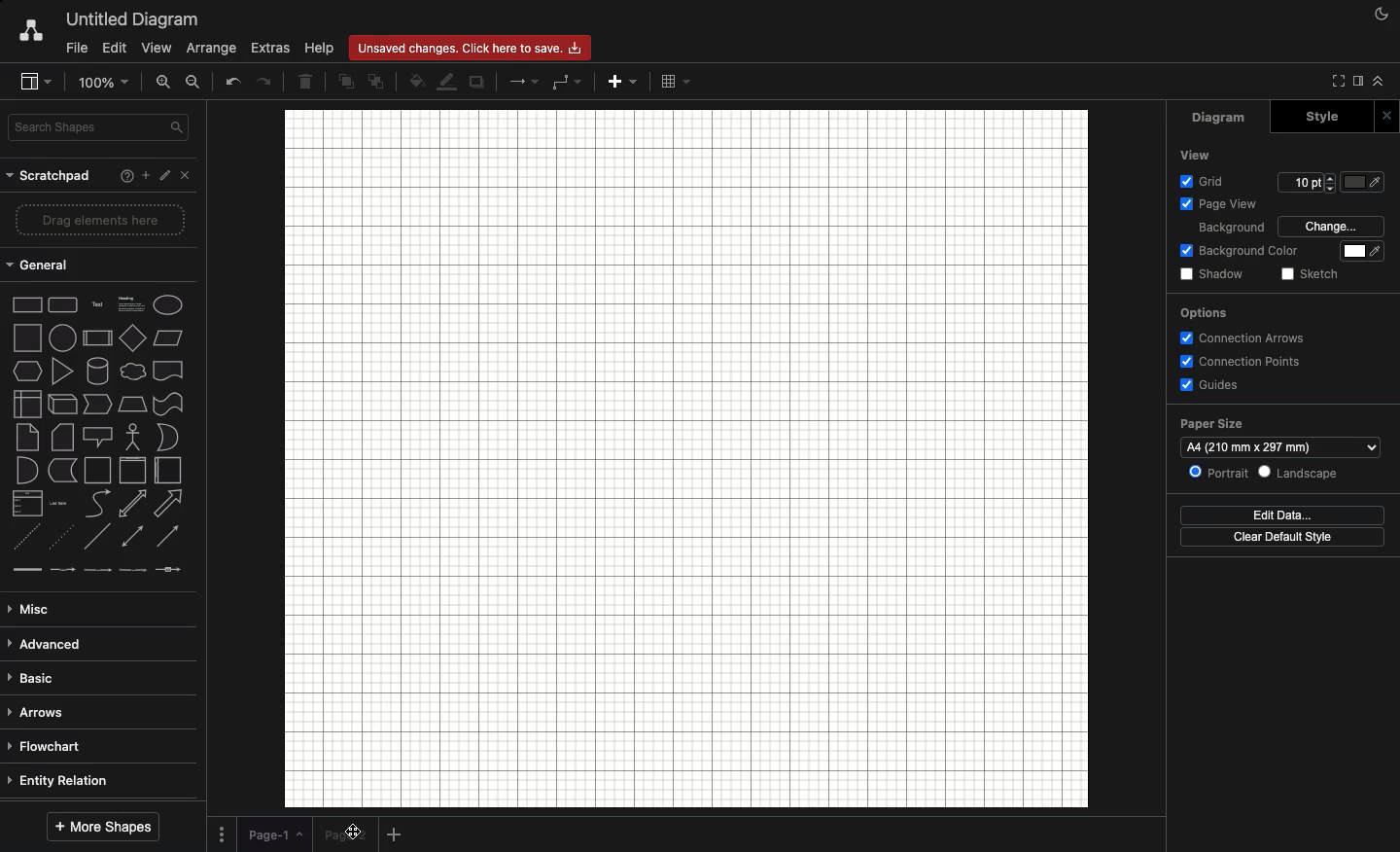  I want to click on Shadow, so click(1209, 275).